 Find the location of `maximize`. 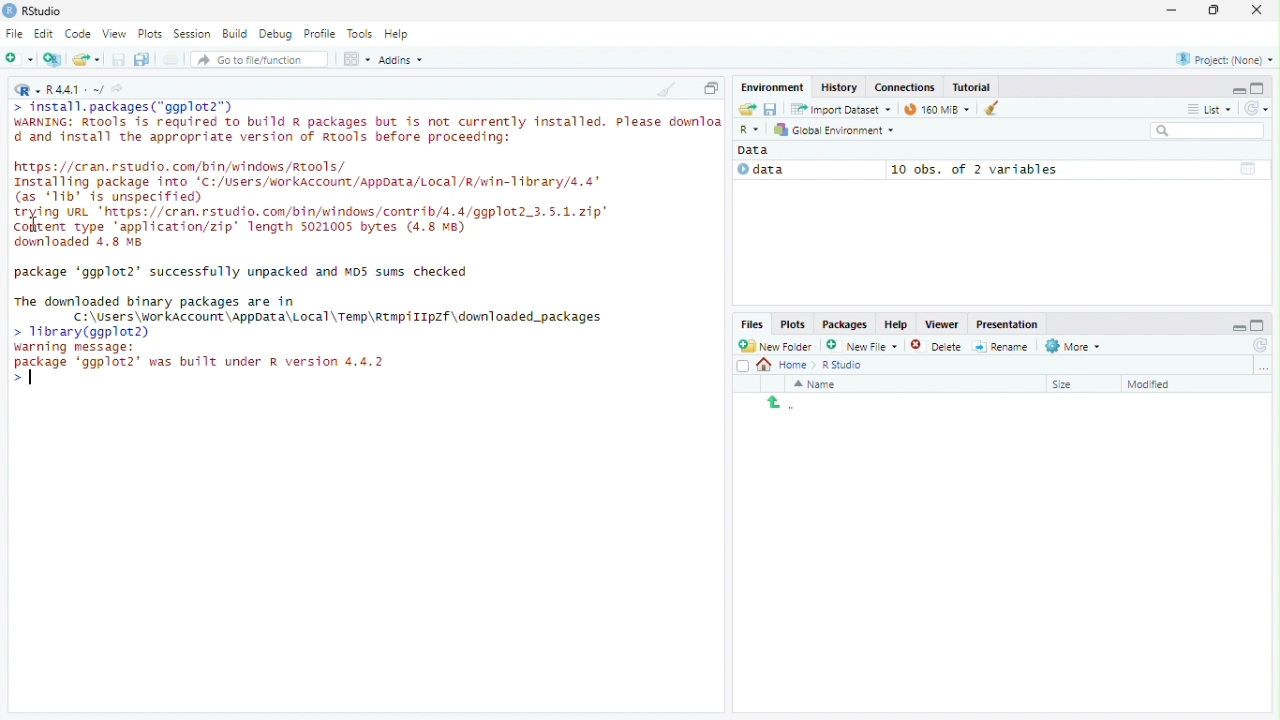

maximize is located at coordinates (1261, 324).